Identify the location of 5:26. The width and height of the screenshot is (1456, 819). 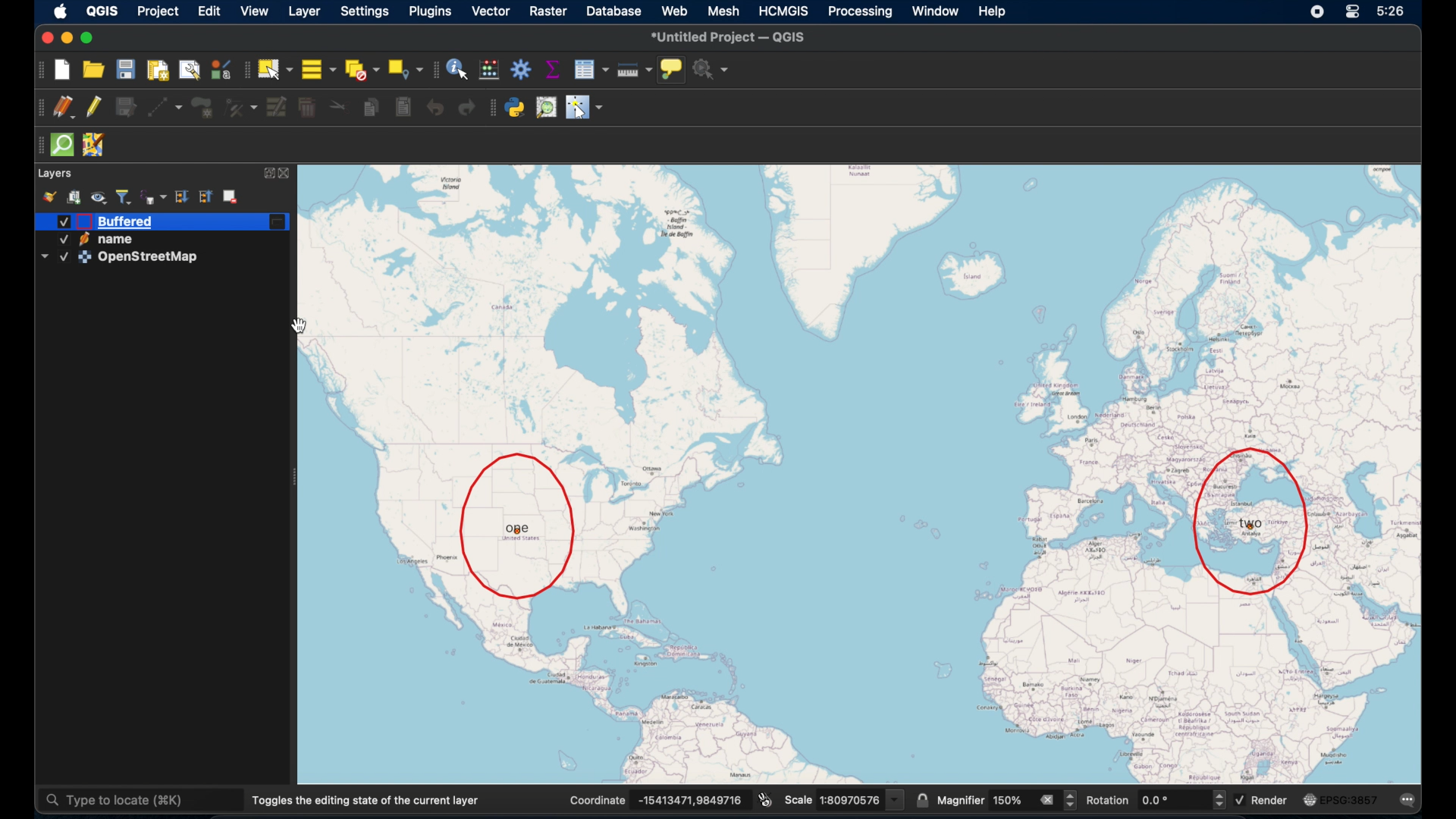
(1392, 11).